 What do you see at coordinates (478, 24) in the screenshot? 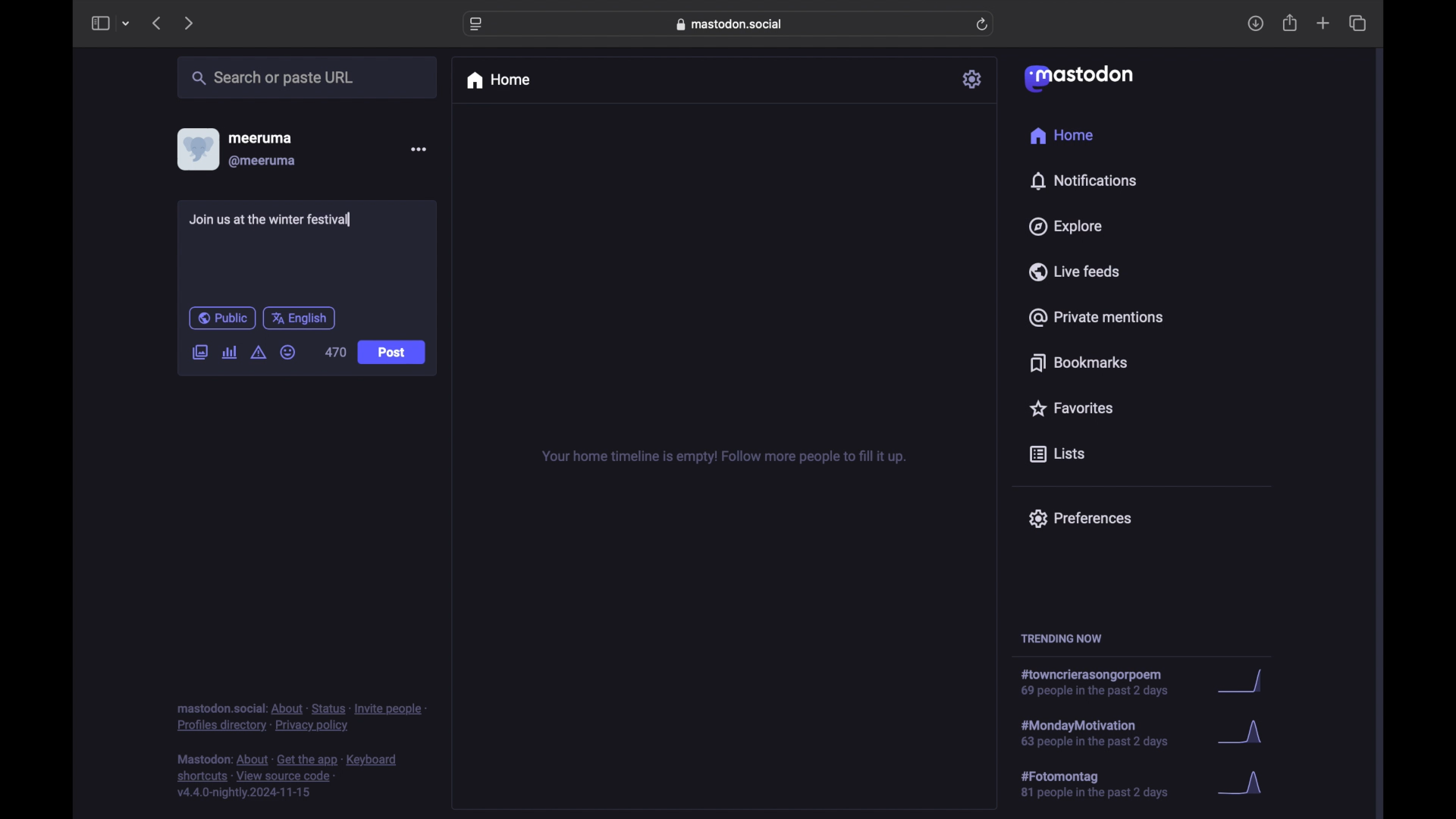
I see `website settings` at bounding box center [478, 24].